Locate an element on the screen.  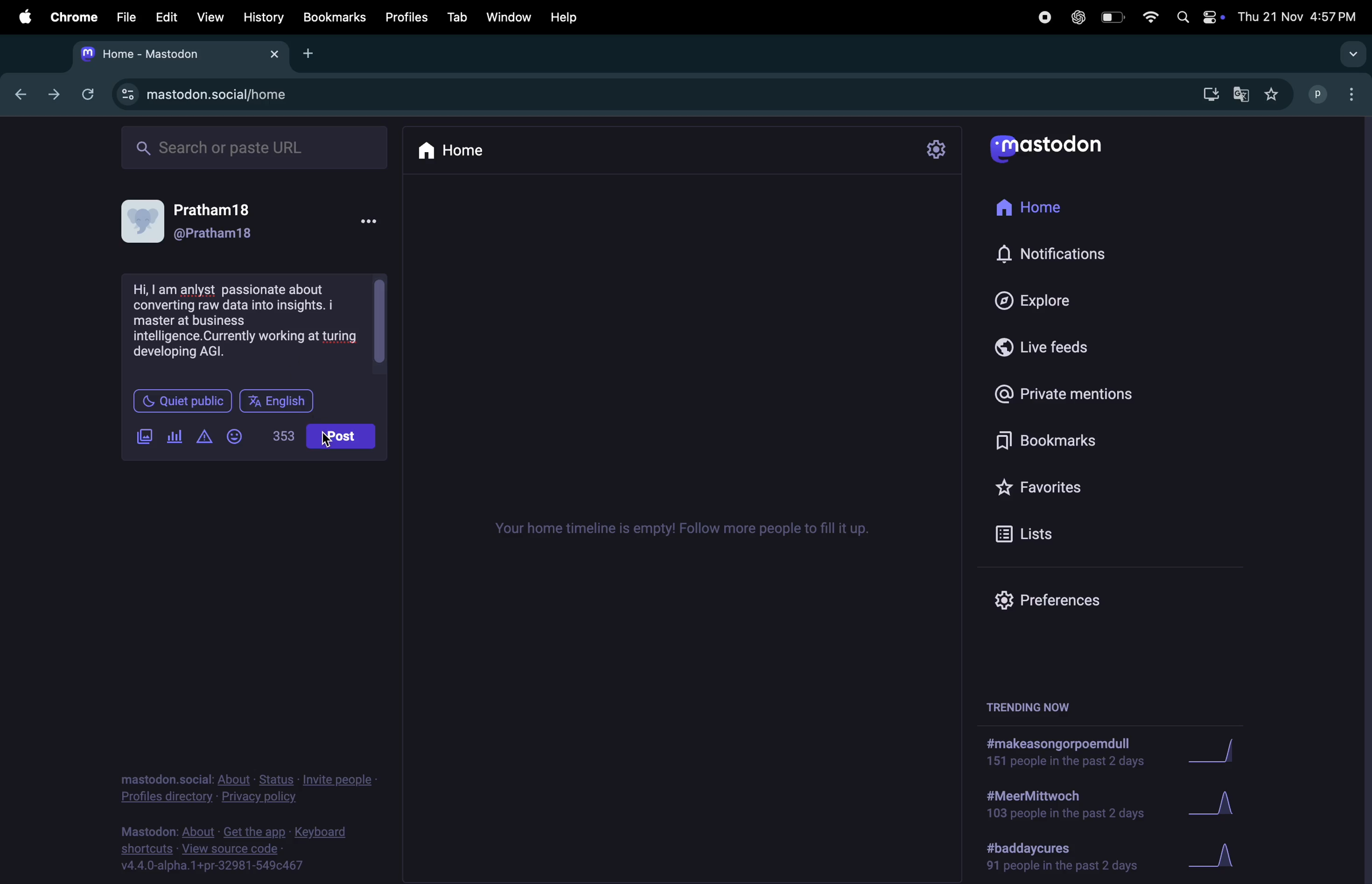
add content warning is located at coordinates (204, 437).